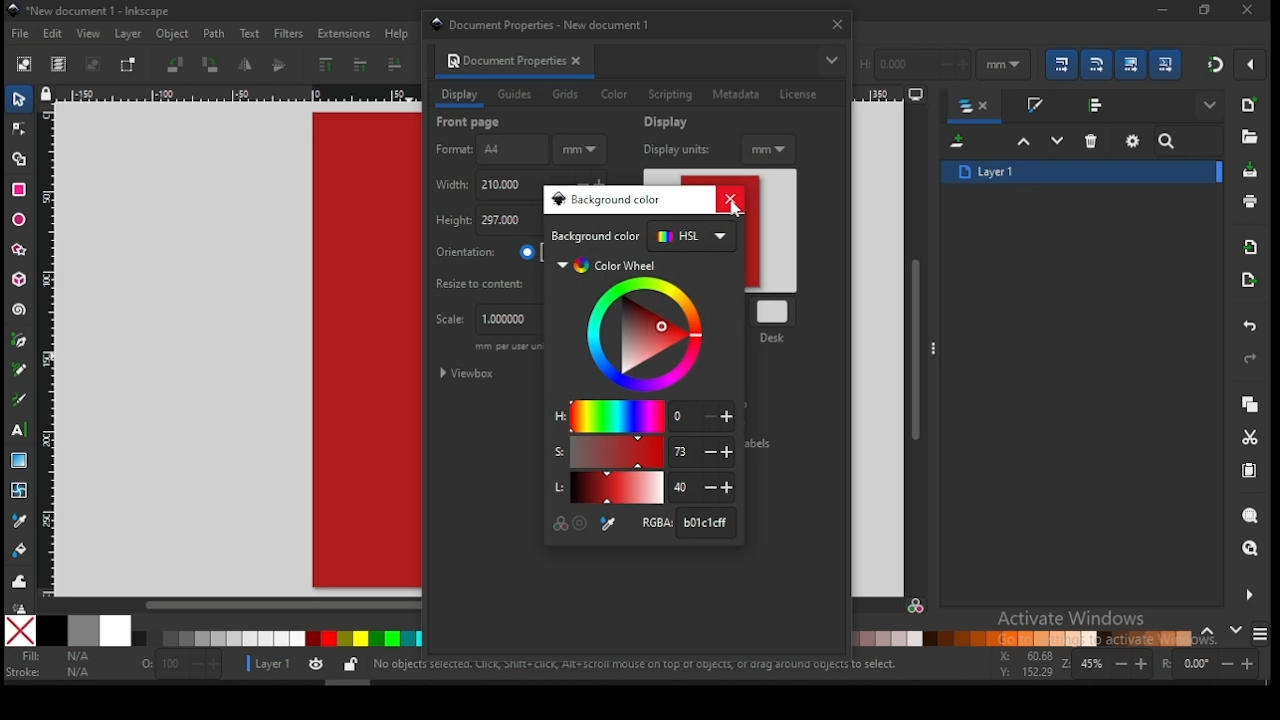  I want to click on scroll bar, so click(230, 605).